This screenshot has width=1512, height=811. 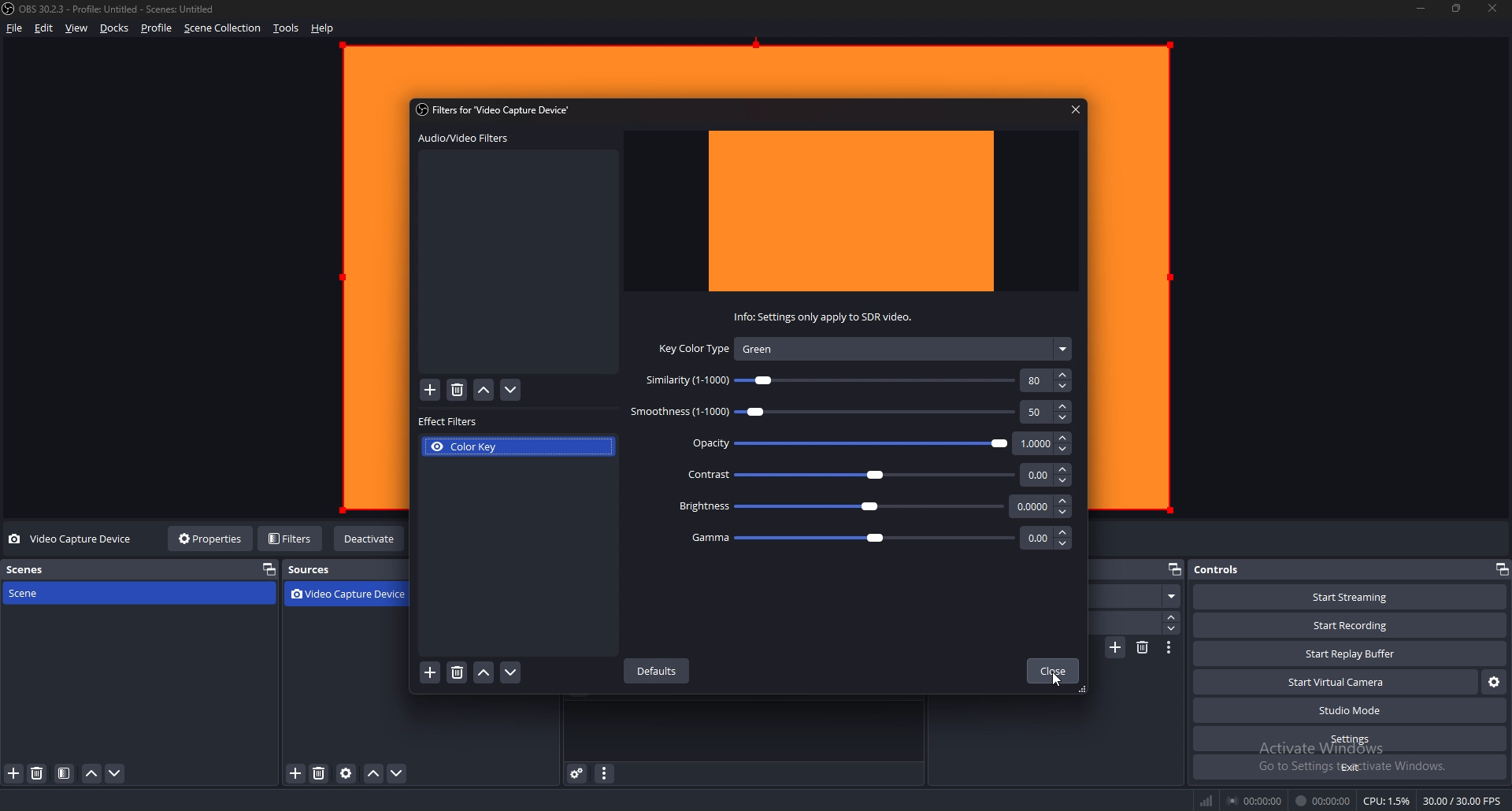 I want to click on CPU: 1.2%, so click(x=1388, y=801).